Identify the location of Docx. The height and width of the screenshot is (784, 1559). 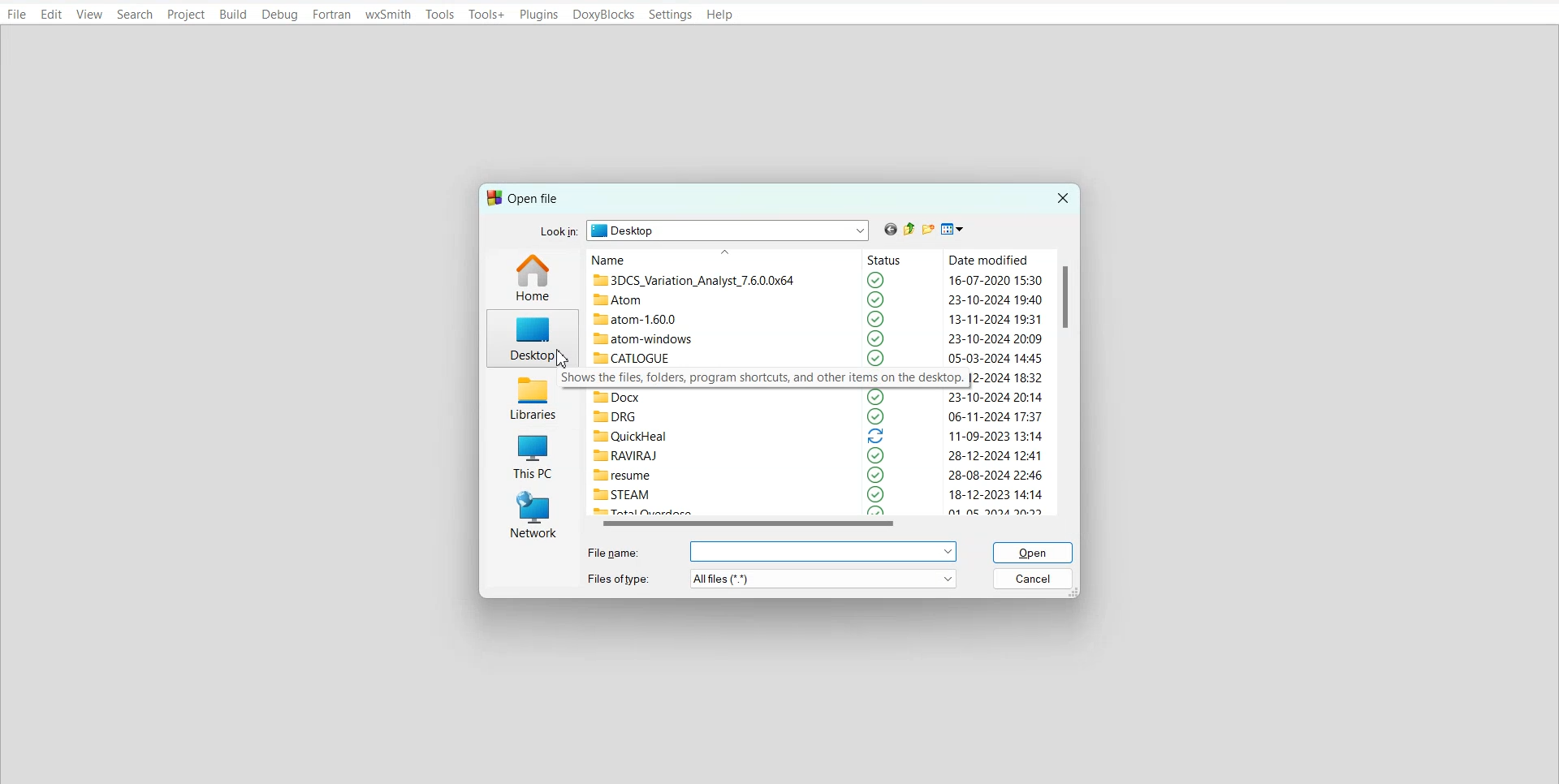
(616, 397).